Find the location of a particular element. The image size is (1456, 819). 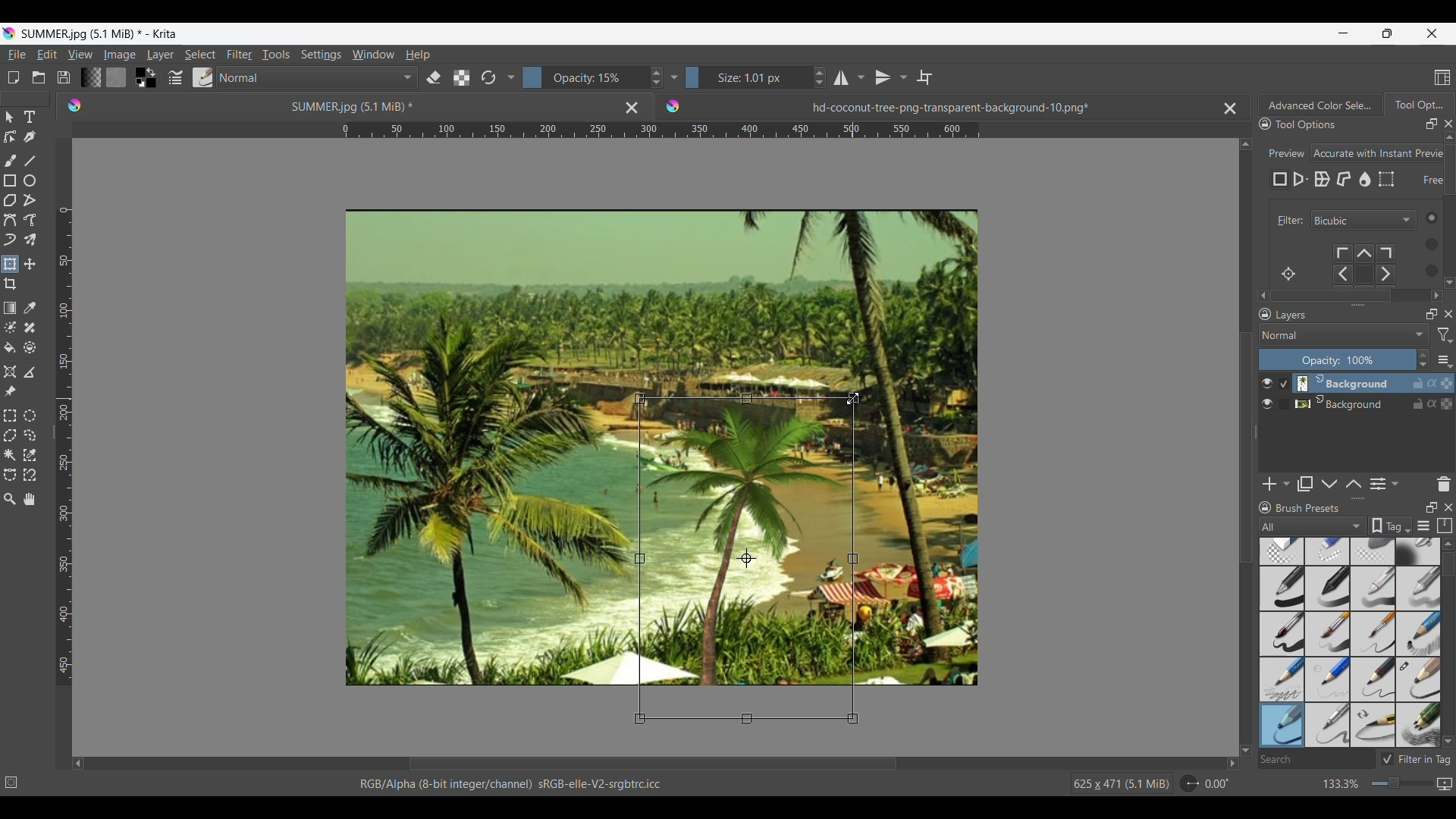

Quick slide of vertical slide bar to top is located at coordinates (1449, 137).